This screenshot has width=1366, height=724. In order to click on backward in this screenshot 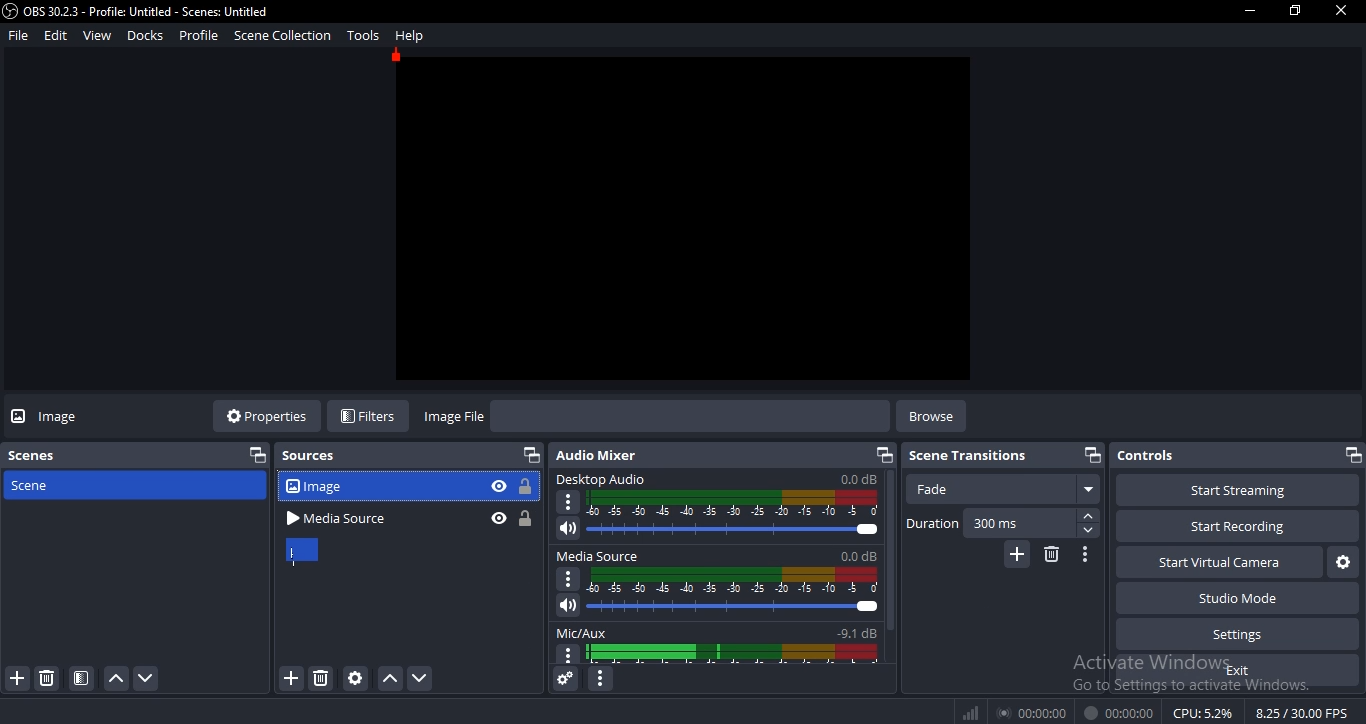, I will do `click(1088, 532)`.